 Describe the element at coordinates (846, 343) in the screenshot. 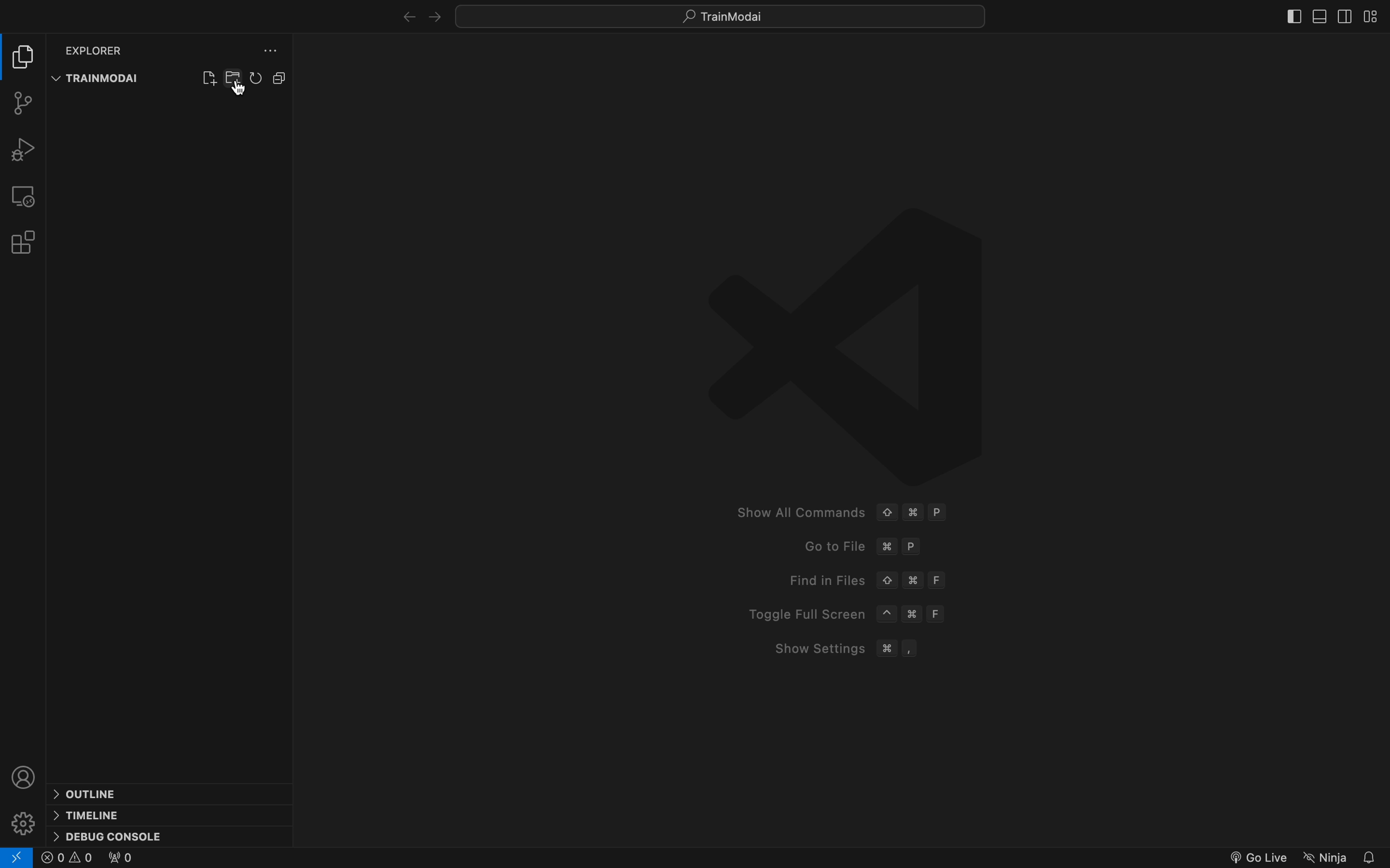

I see `Logo` at that location.